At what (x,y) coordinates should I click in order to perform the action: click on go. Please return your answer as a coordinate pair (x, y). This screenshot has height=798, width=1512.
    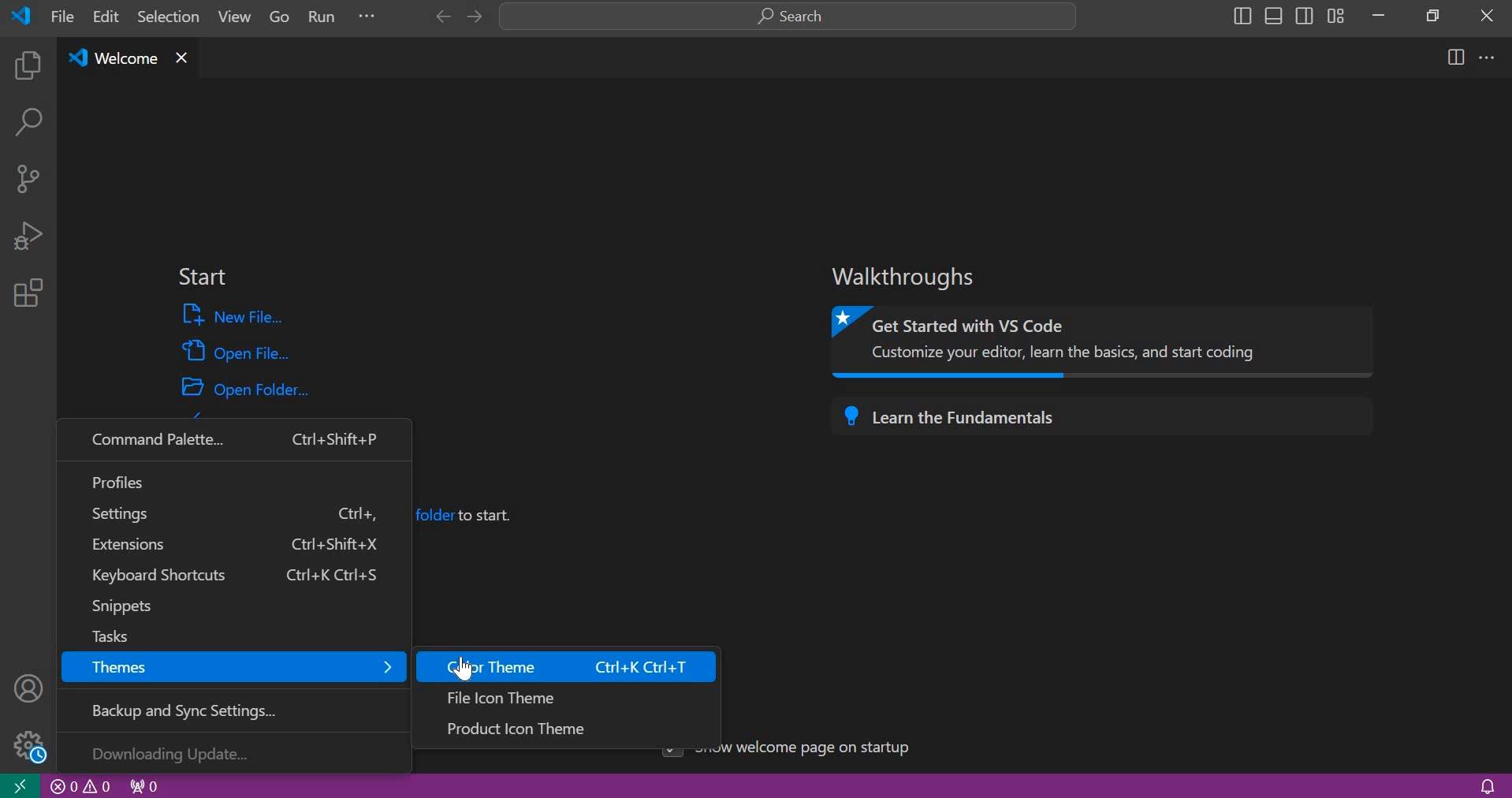
    Looking at the image, I should click on (280, 19).